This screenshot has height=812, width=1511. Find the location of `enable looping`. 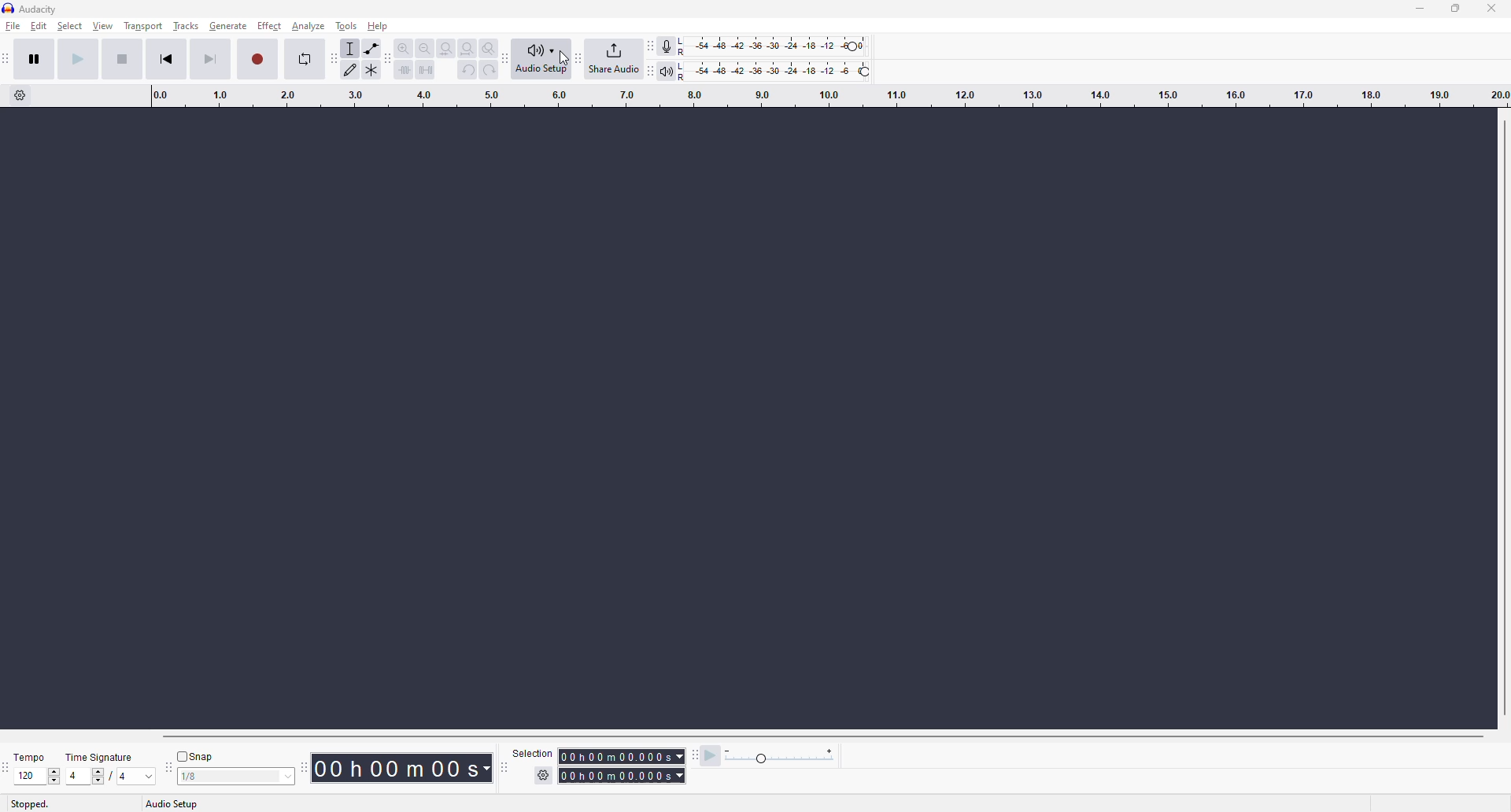

enable looping is located at coordinates (302, 60).